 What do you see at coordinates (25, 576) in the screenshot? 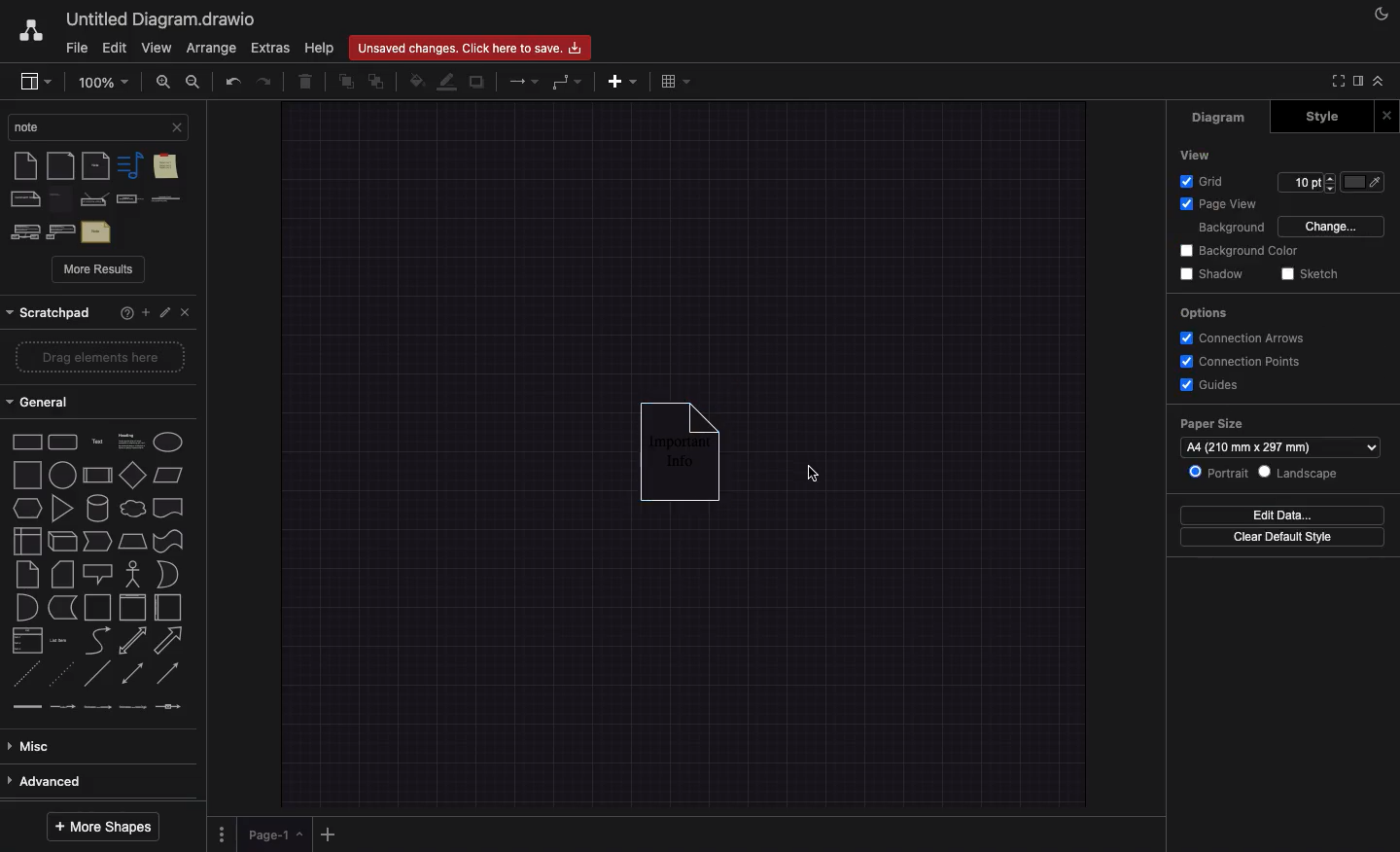
I see `note` at bounding box center [25, 576].